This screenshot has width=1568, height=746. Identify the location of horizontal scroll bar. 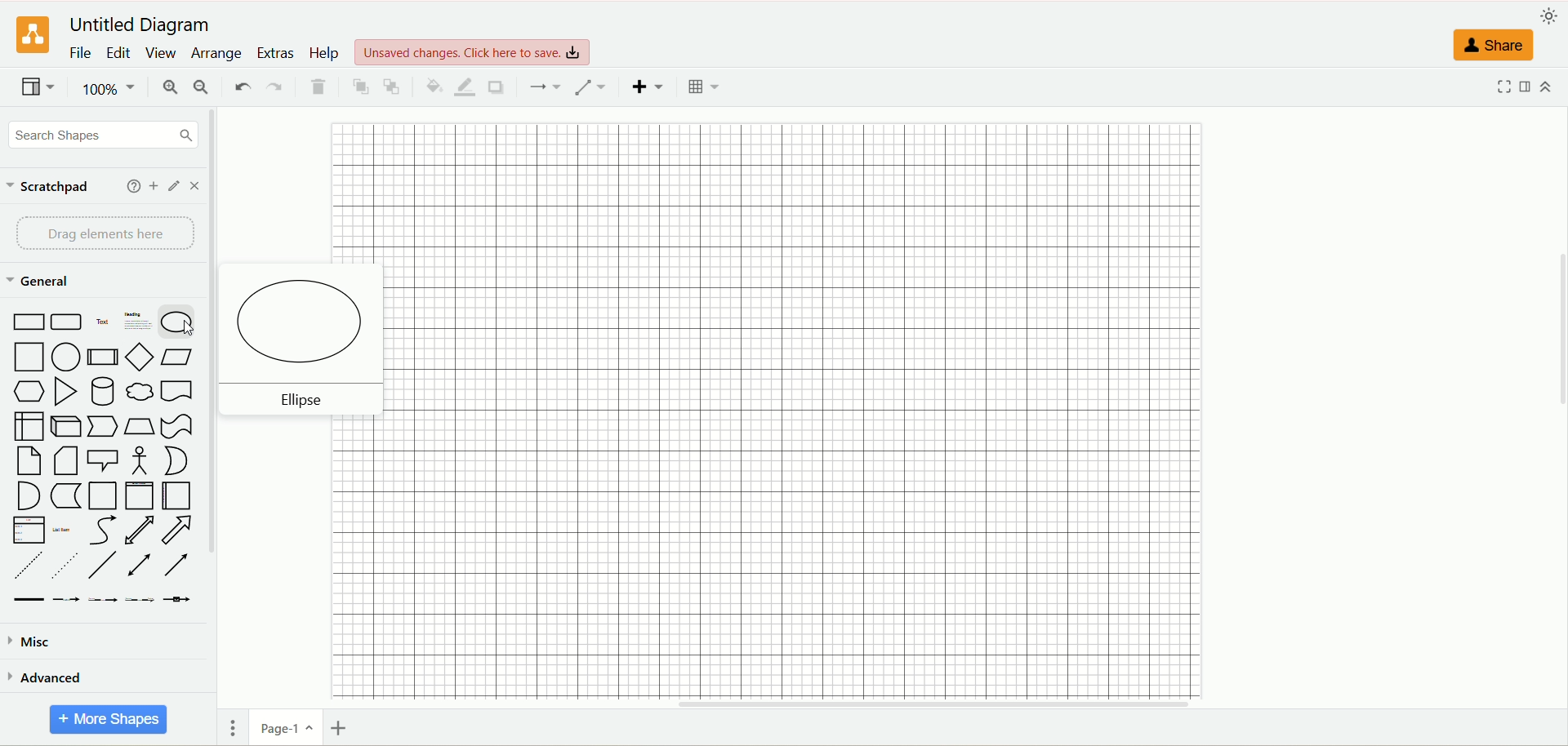
(899, 704).